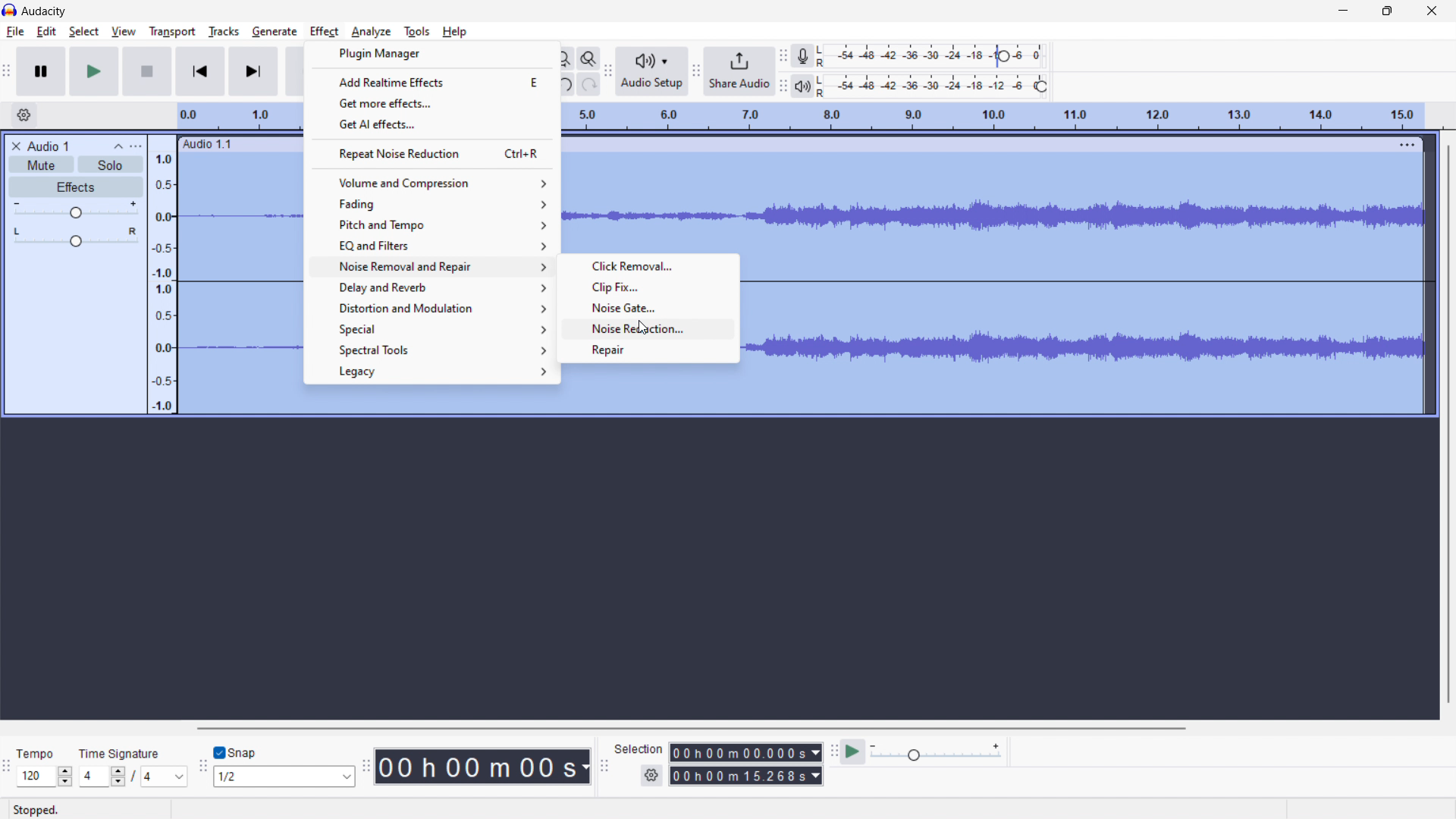 Image resolution: width=1456 pixels, height=819 pixels. What do you see at coordinates (41, 72) in the screenshot?
I see `pause` at bounding box center [41, 72].